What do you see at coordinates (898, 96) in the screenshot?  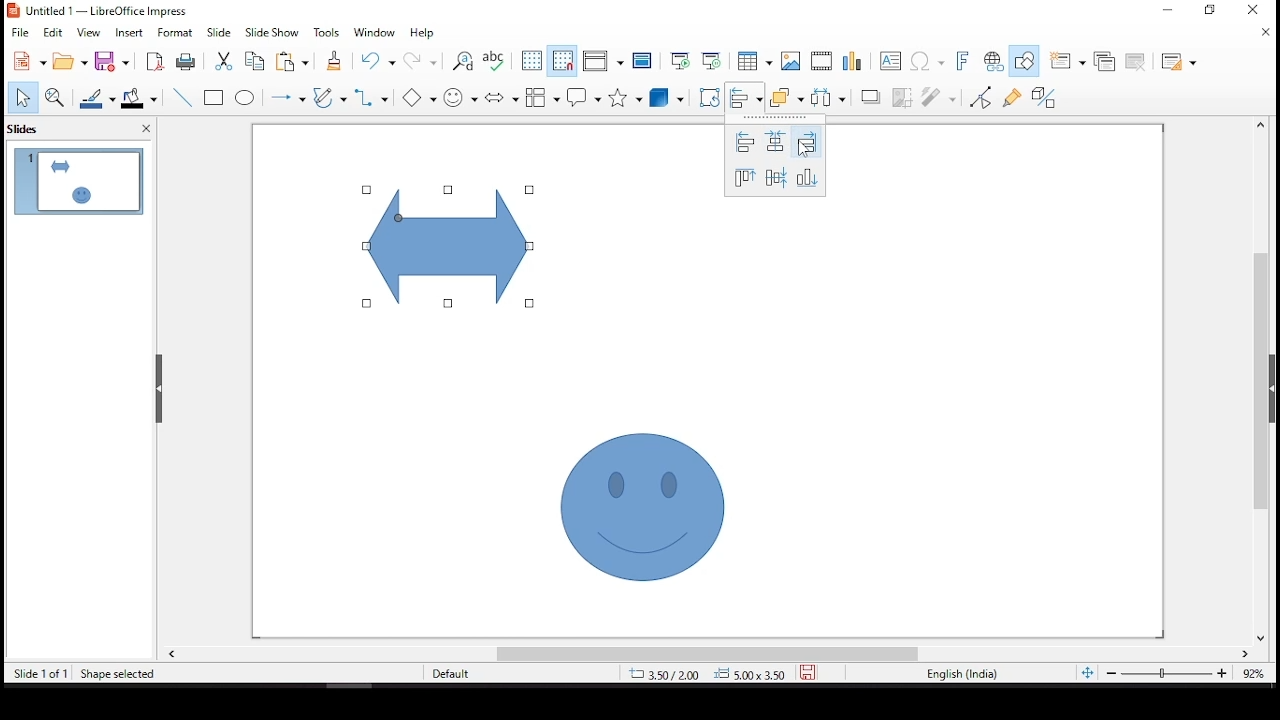 I see `crop image` at bounding box center [898, 96].